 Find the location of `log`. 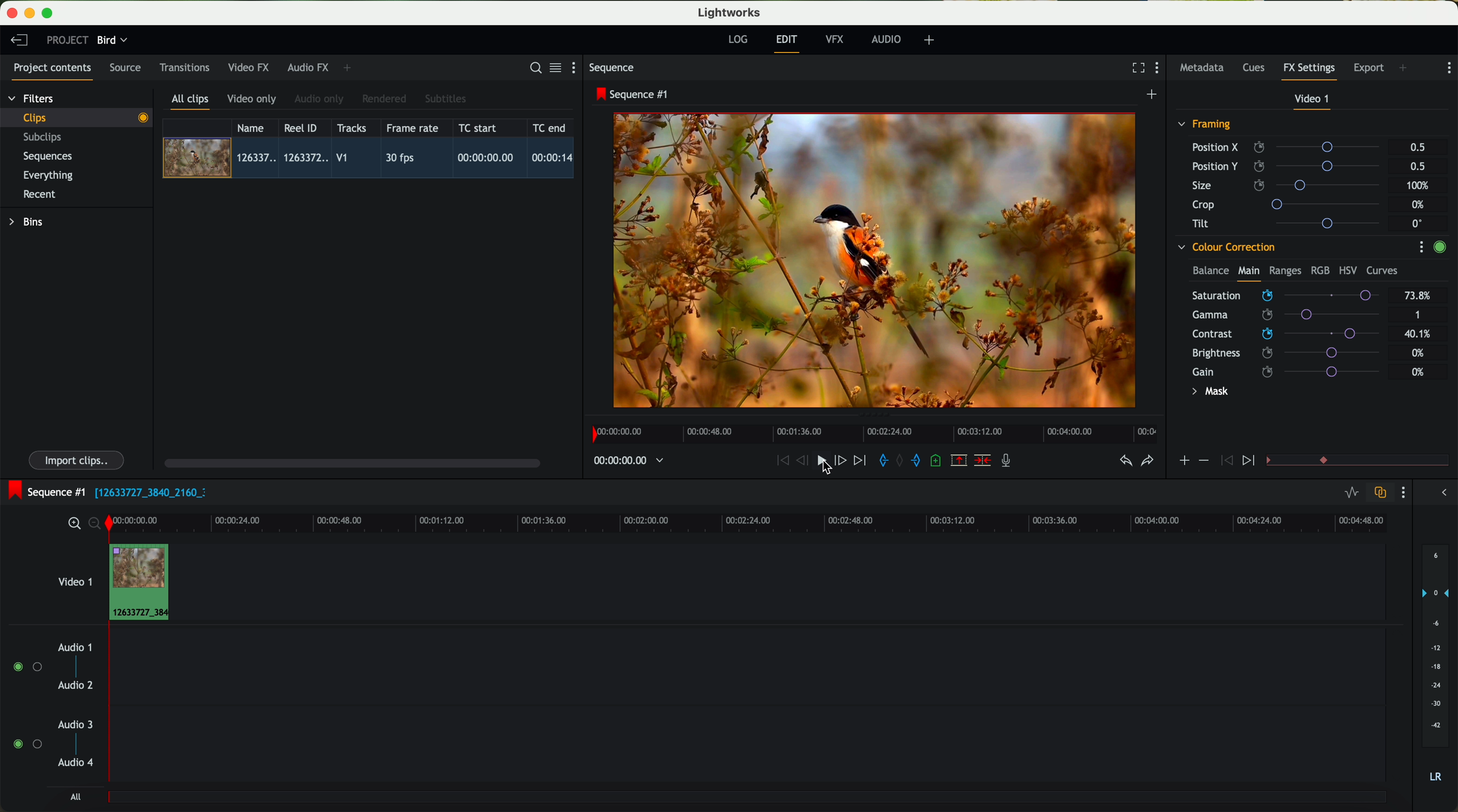

log is located at coordinates (737, 40).